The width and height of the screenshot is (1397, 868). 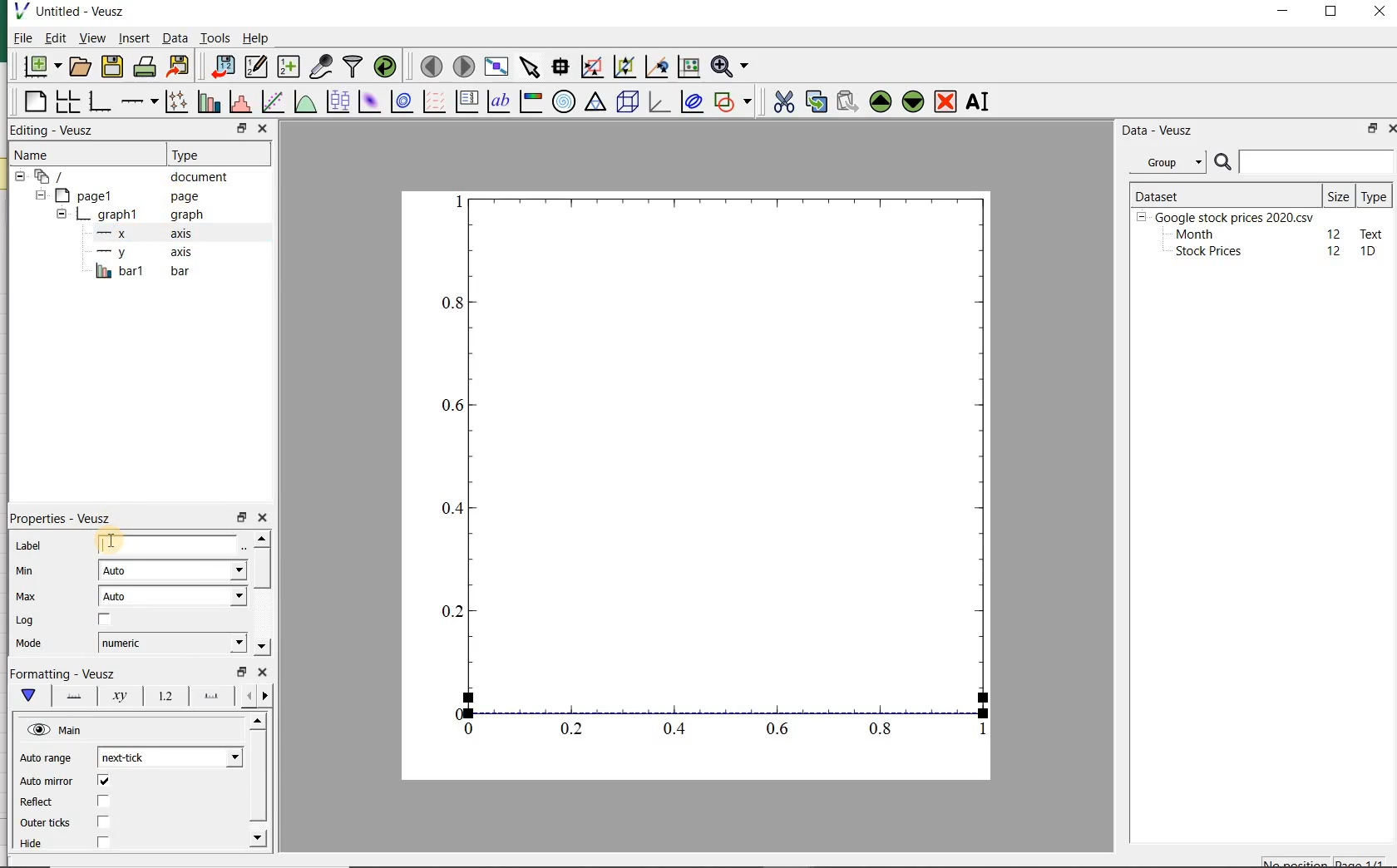 What do you see at coordinates (39, 802) in the screenshot?
I see `Reflect` at bounding box center [39, 802].